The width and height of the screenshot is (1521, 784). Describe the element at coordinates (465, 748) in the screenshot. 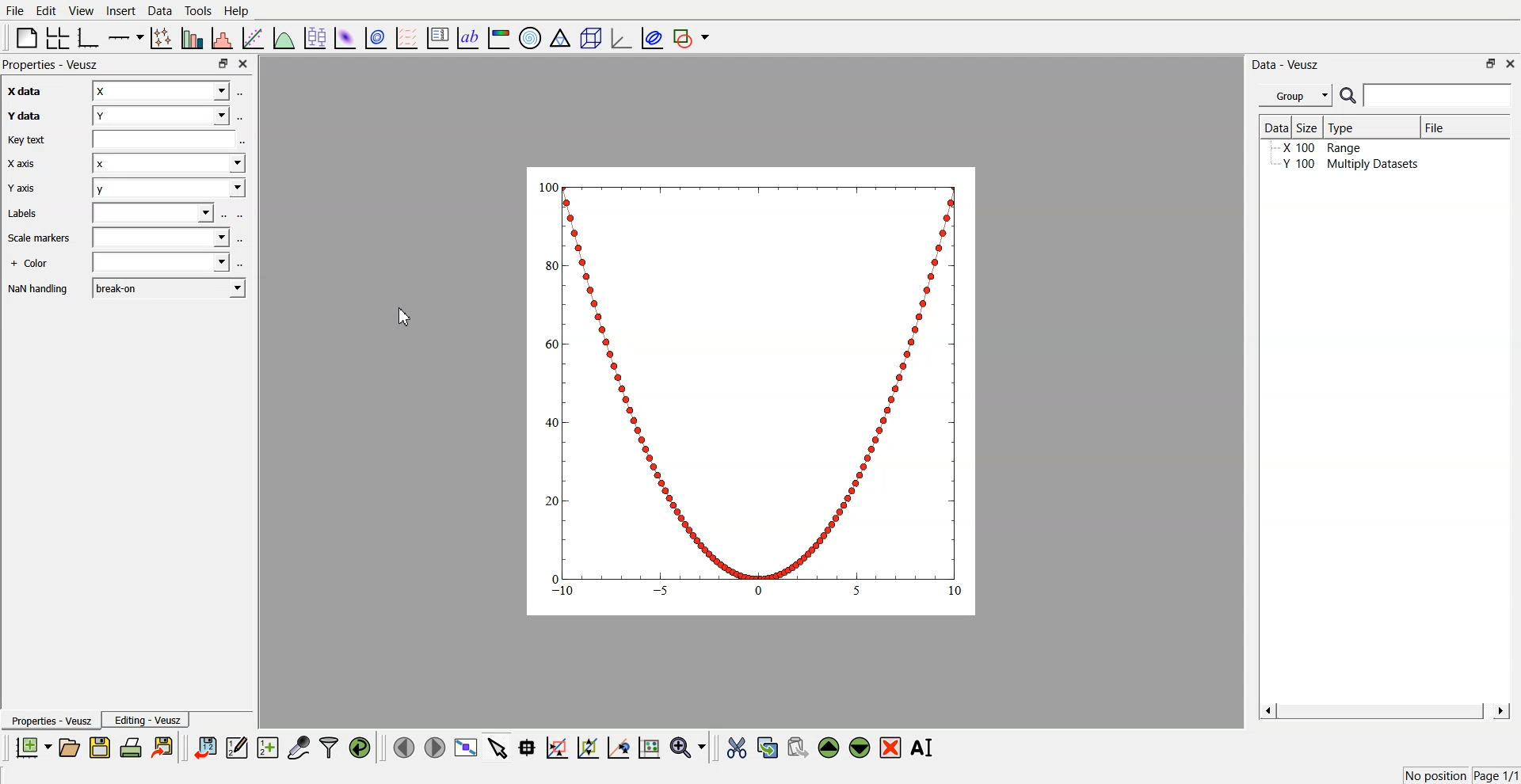

I see `view plot full screen` at that location.